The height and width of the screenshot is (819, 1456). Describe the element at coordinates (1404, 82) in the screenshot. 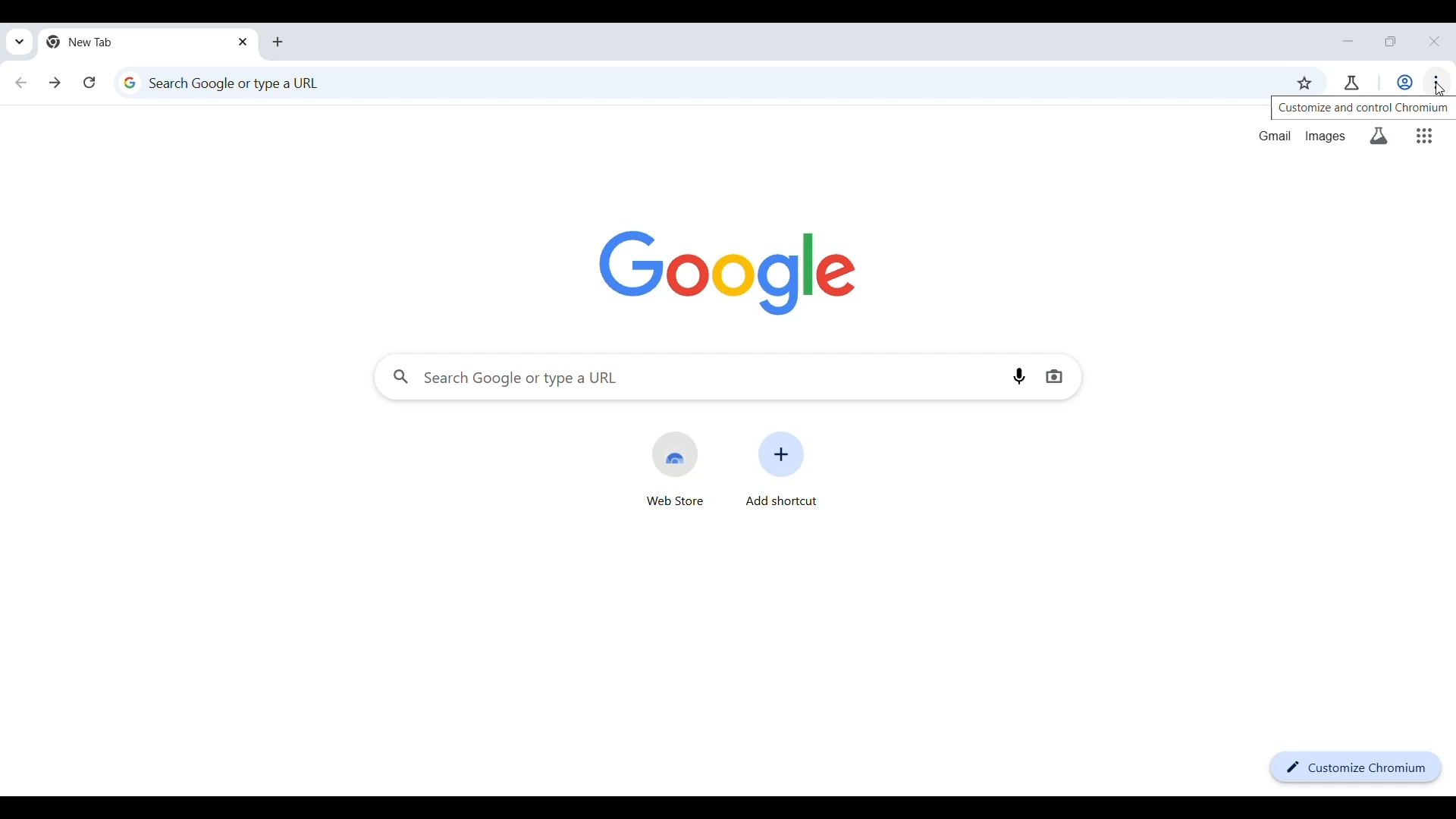

I see `Work` at that location.